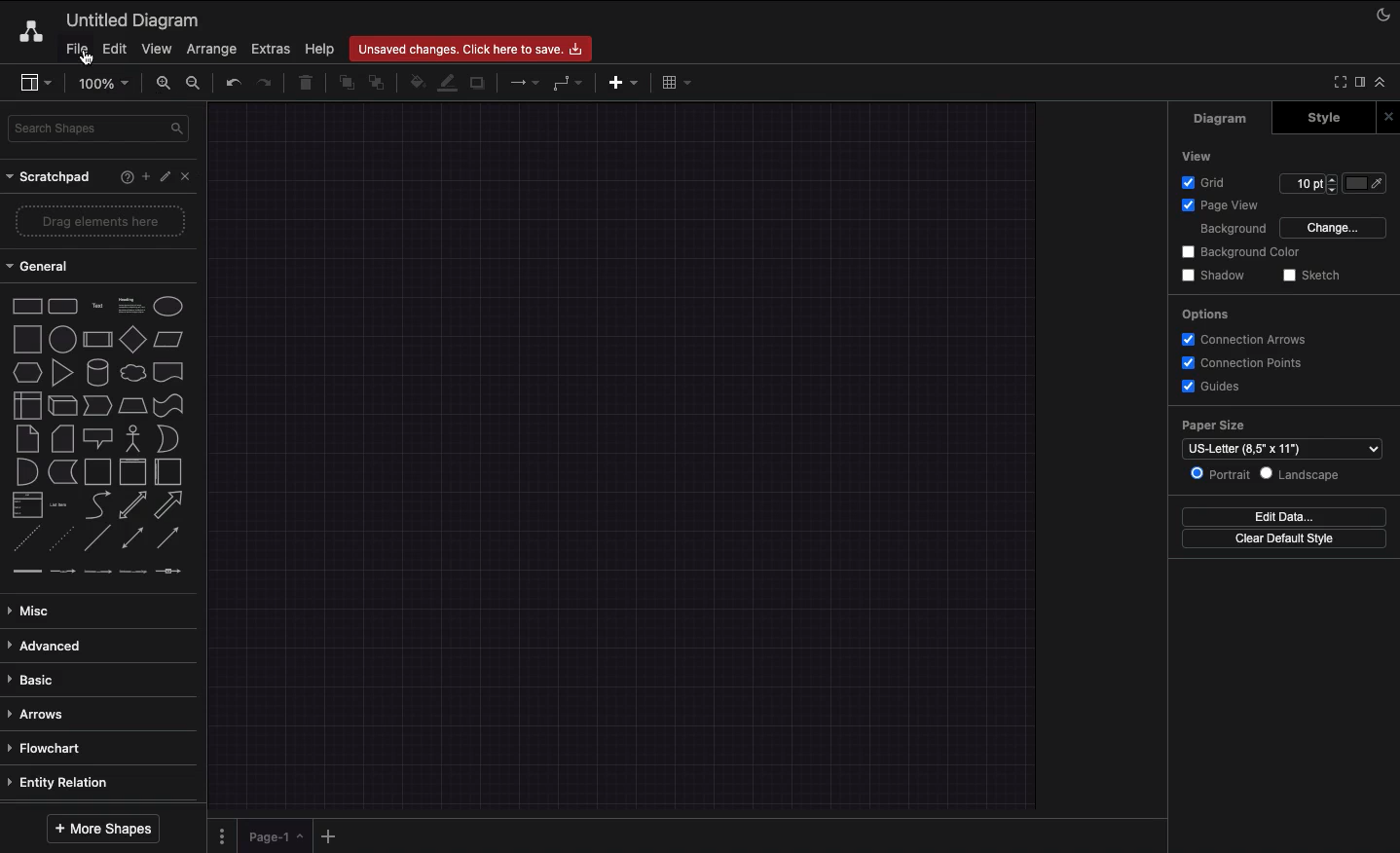  Describe the element at coordinates (133, 19) in the screenshot. I see `Untitled diagram` at that location.